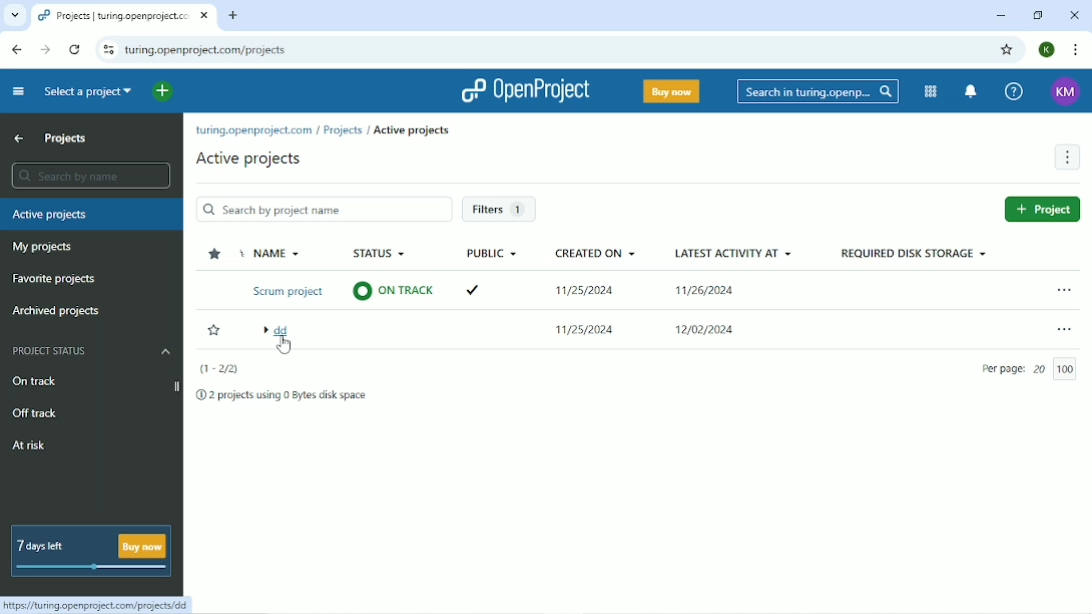  I want to click on Open menu, so click(1061, 289).